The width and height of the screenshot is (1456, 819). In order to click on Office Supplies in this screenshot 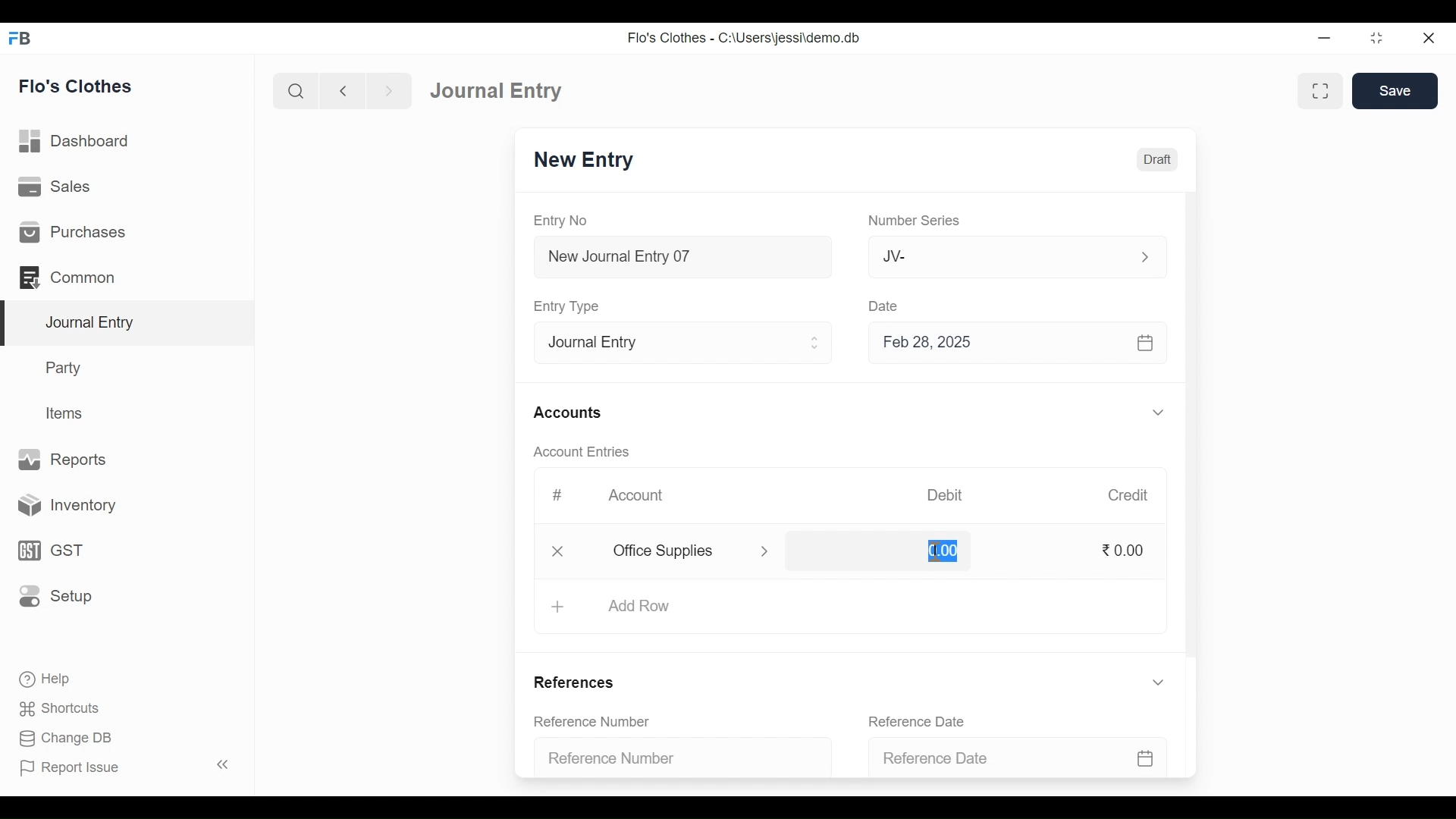, I will do `click(674, 551)`.